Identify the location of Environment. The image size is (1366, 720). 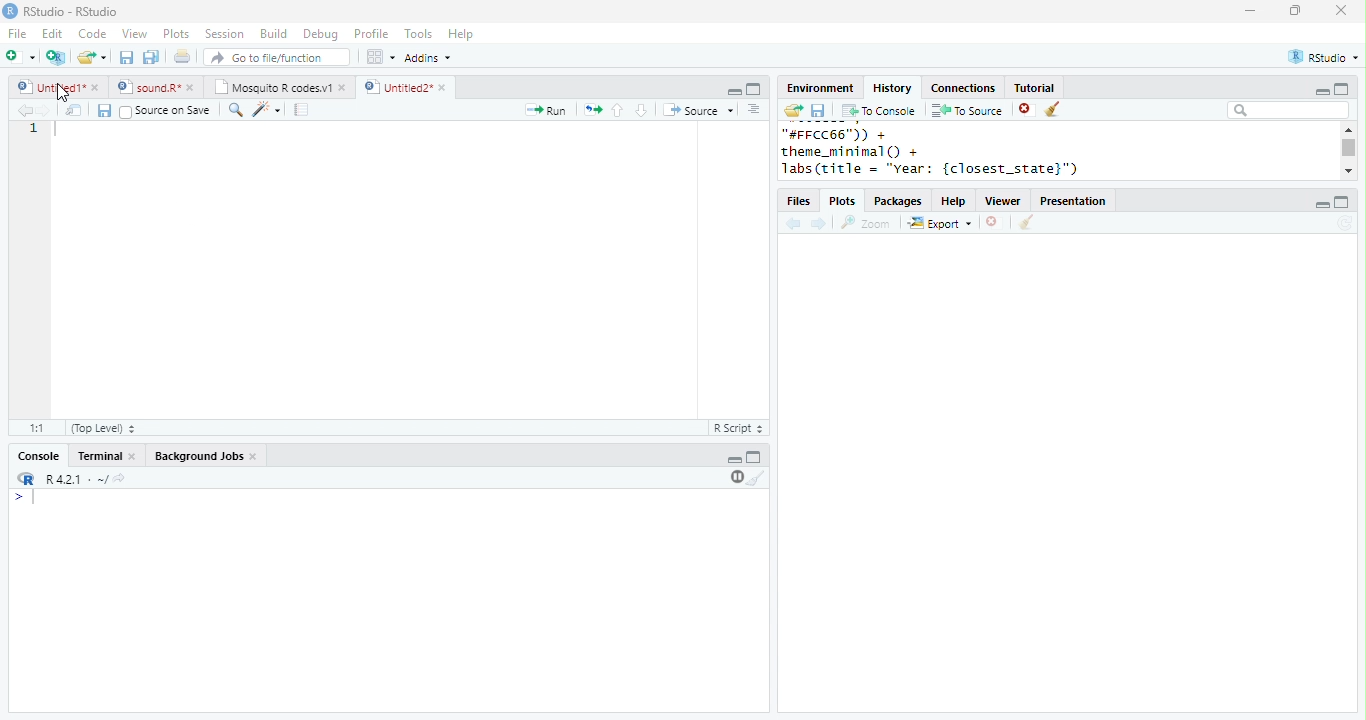
(822, 89).